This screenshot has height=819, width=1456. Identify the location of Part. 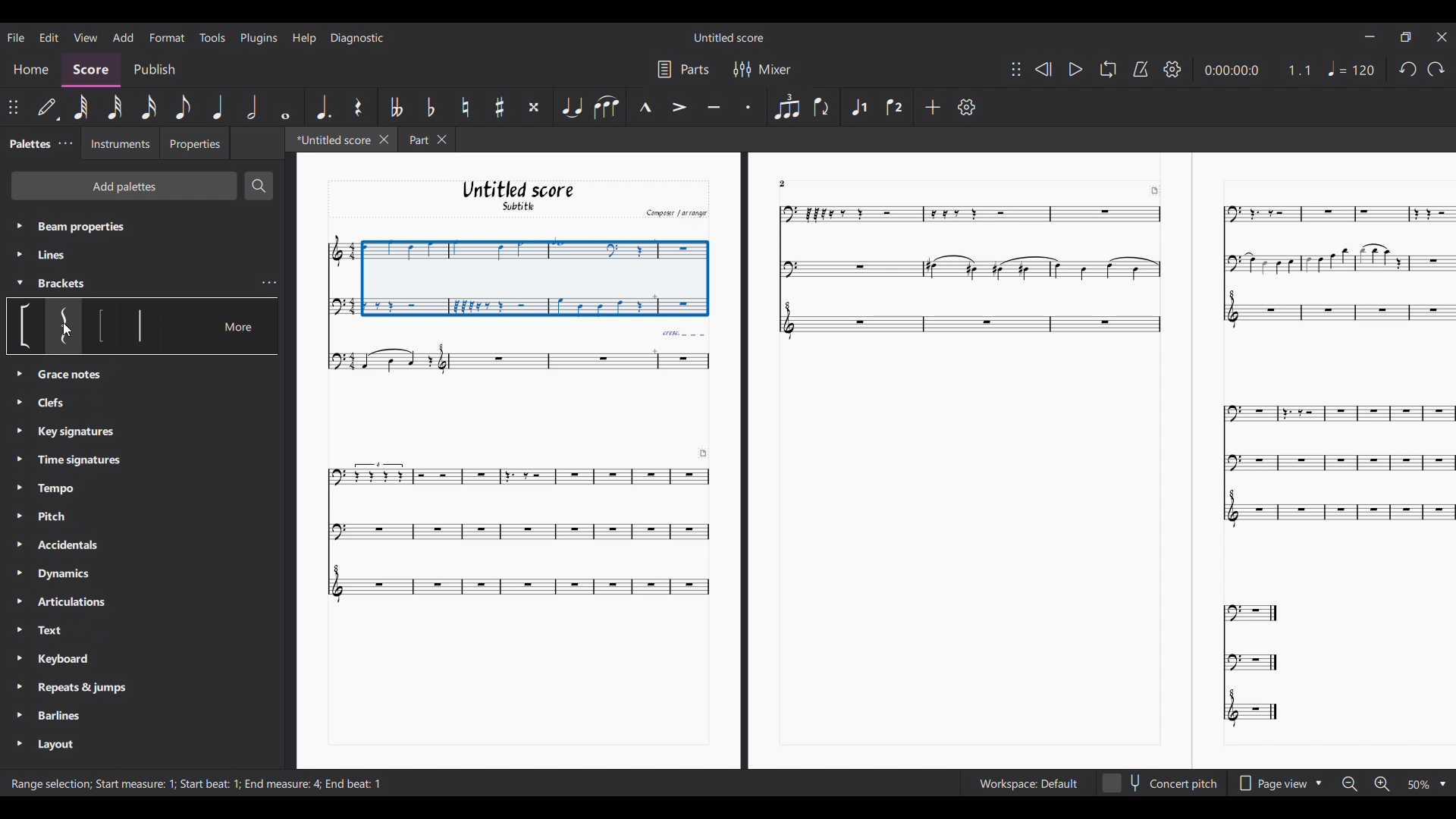
(416, 139).